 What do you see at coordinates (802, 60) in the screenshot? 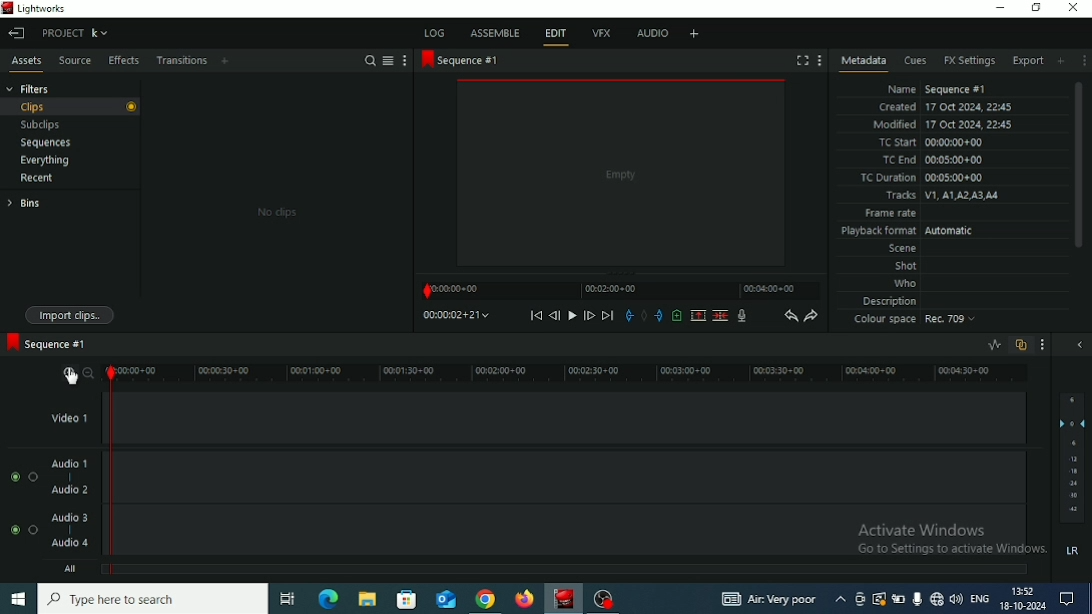
I see `Fullscreen` at bounding box center [802, 60].